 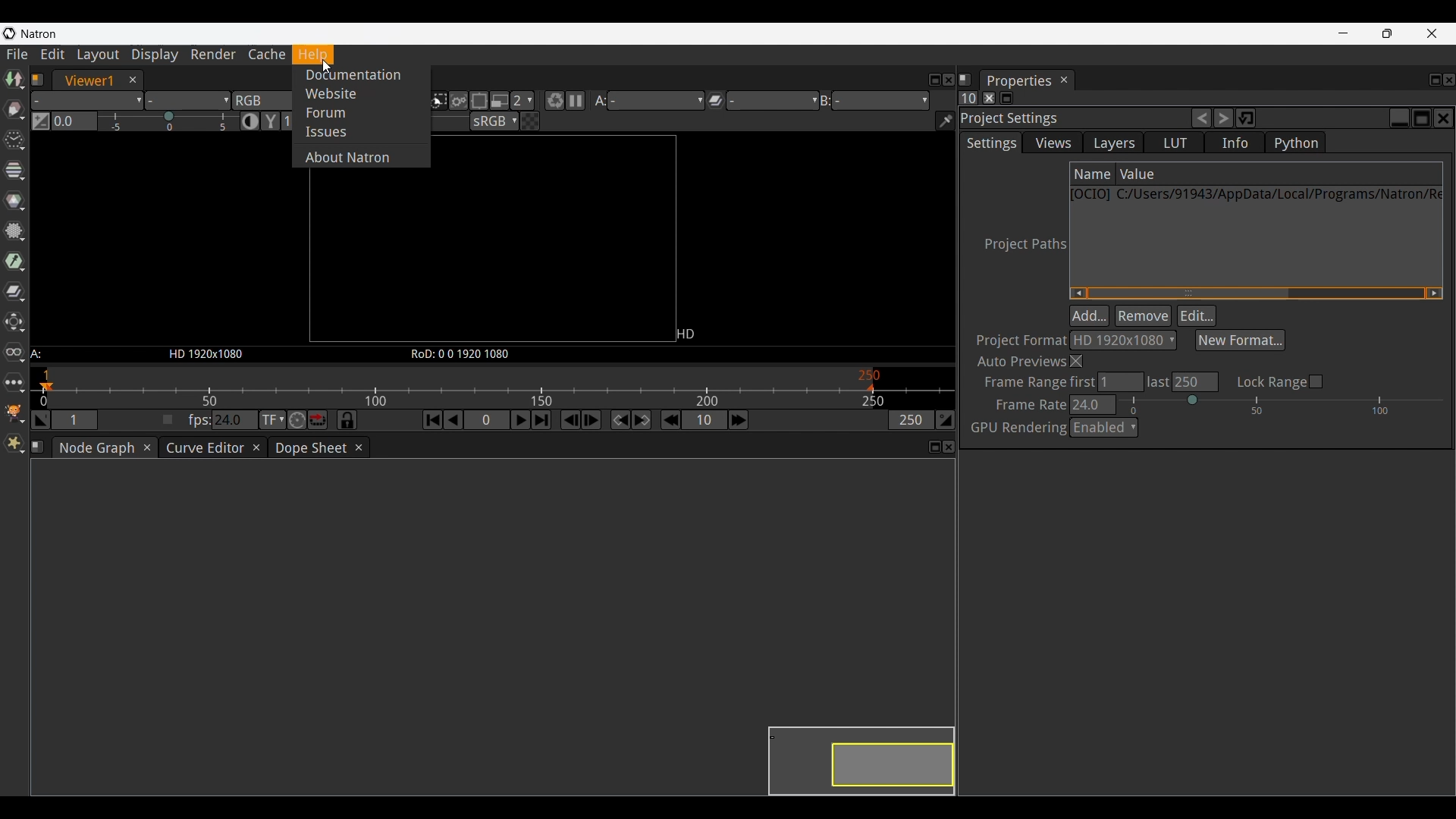 I want to click on Preview, so click(x=508, y=255).